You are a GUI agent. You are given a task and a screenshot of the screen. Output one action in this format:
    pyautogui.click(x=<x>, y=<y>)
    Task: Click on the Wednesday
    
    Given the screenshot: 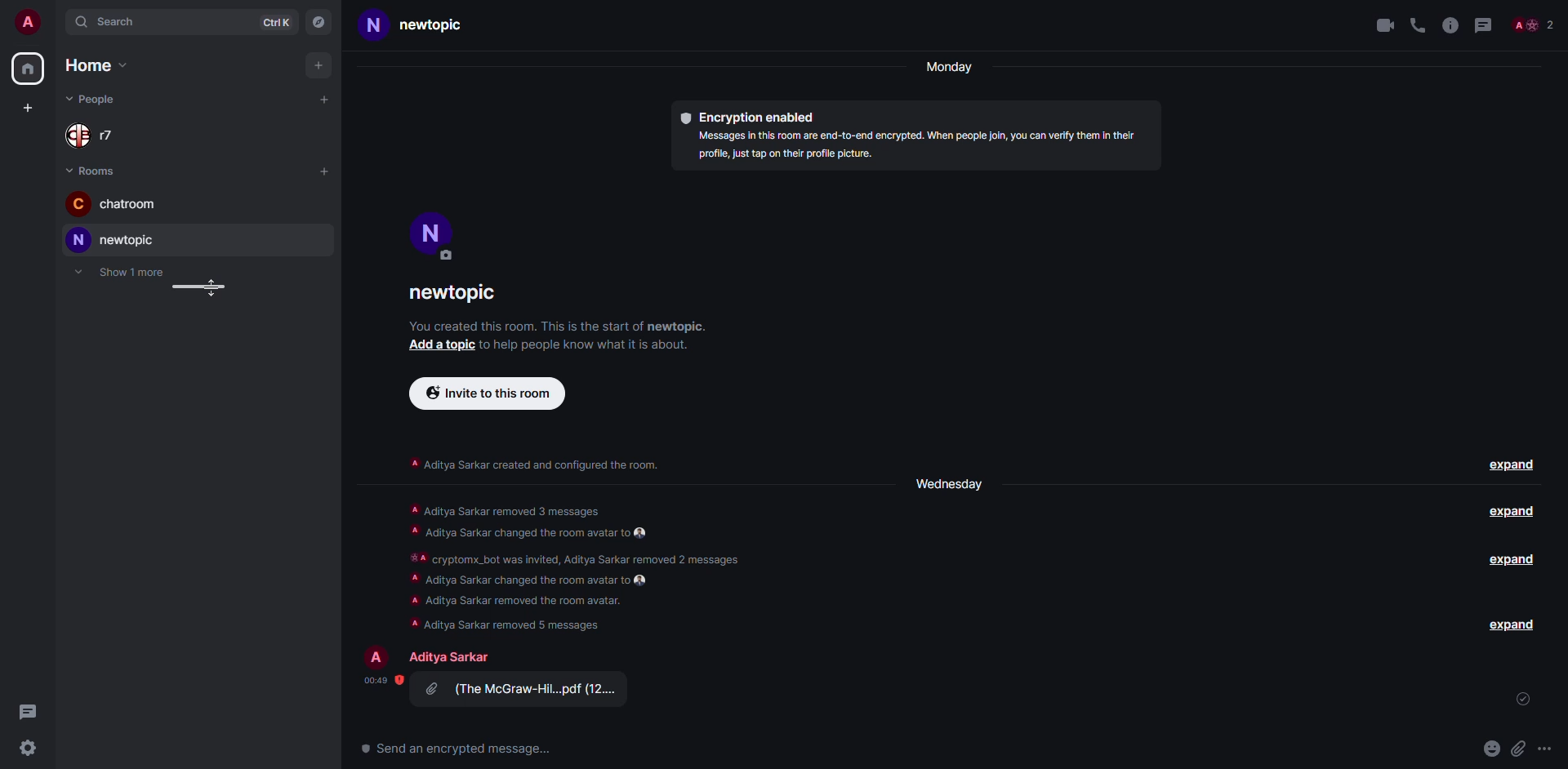 What is the action you would take?
    pyautogui.click(x=951, y=482)
    